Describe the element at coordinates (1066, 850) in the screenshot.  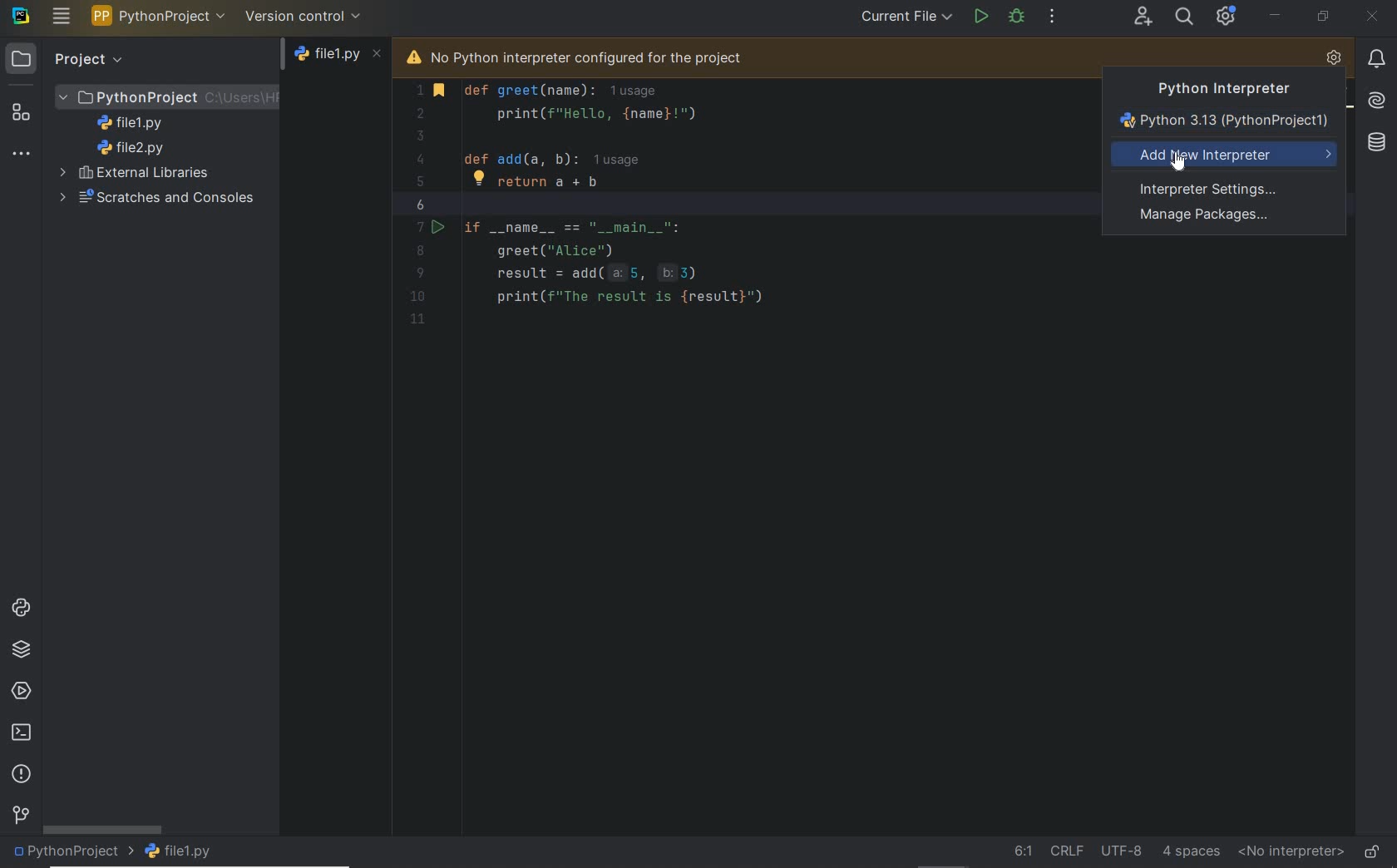
I see `line separator` at that location.